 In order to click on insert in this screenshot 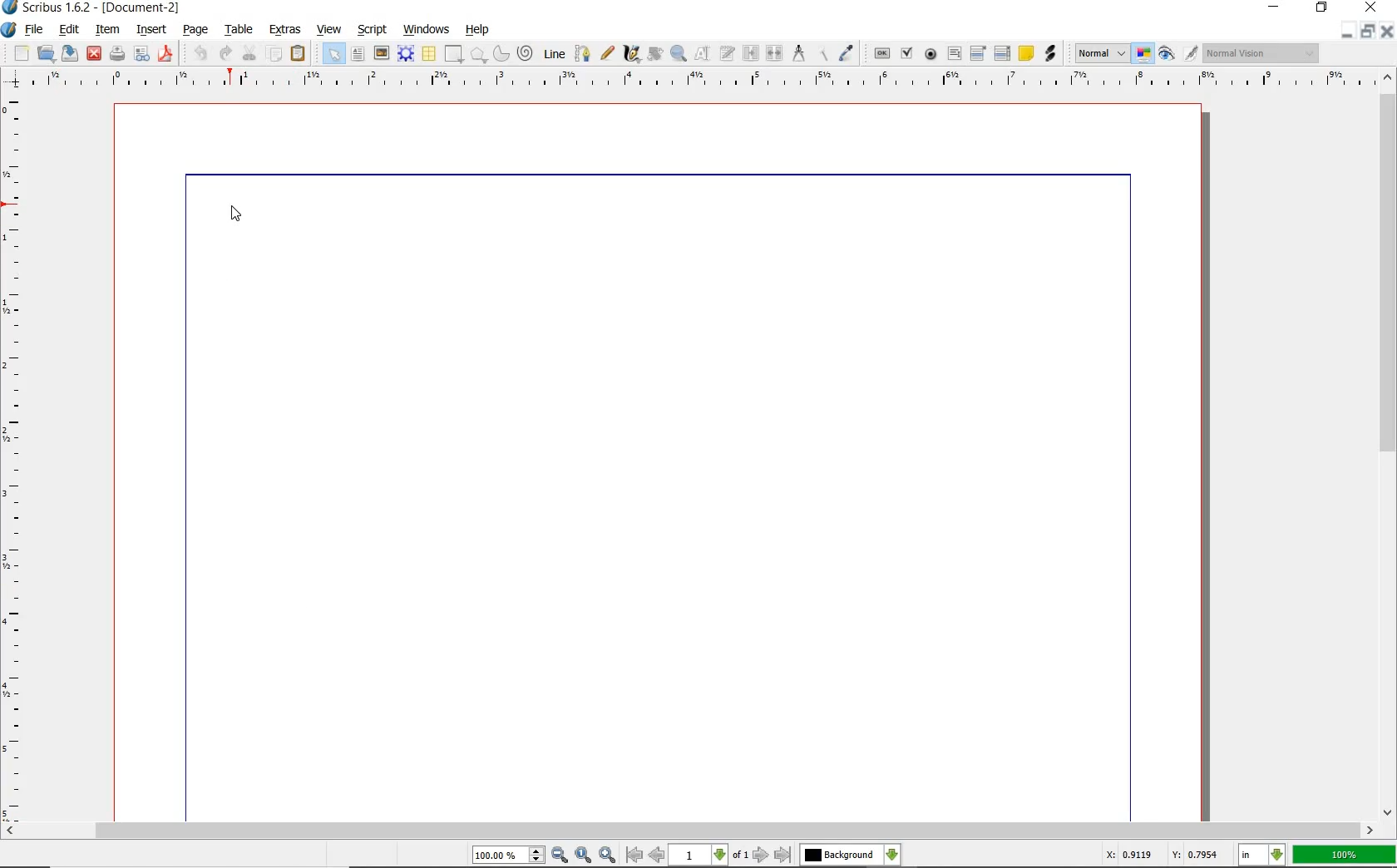, I will do `click(155, 31)`.